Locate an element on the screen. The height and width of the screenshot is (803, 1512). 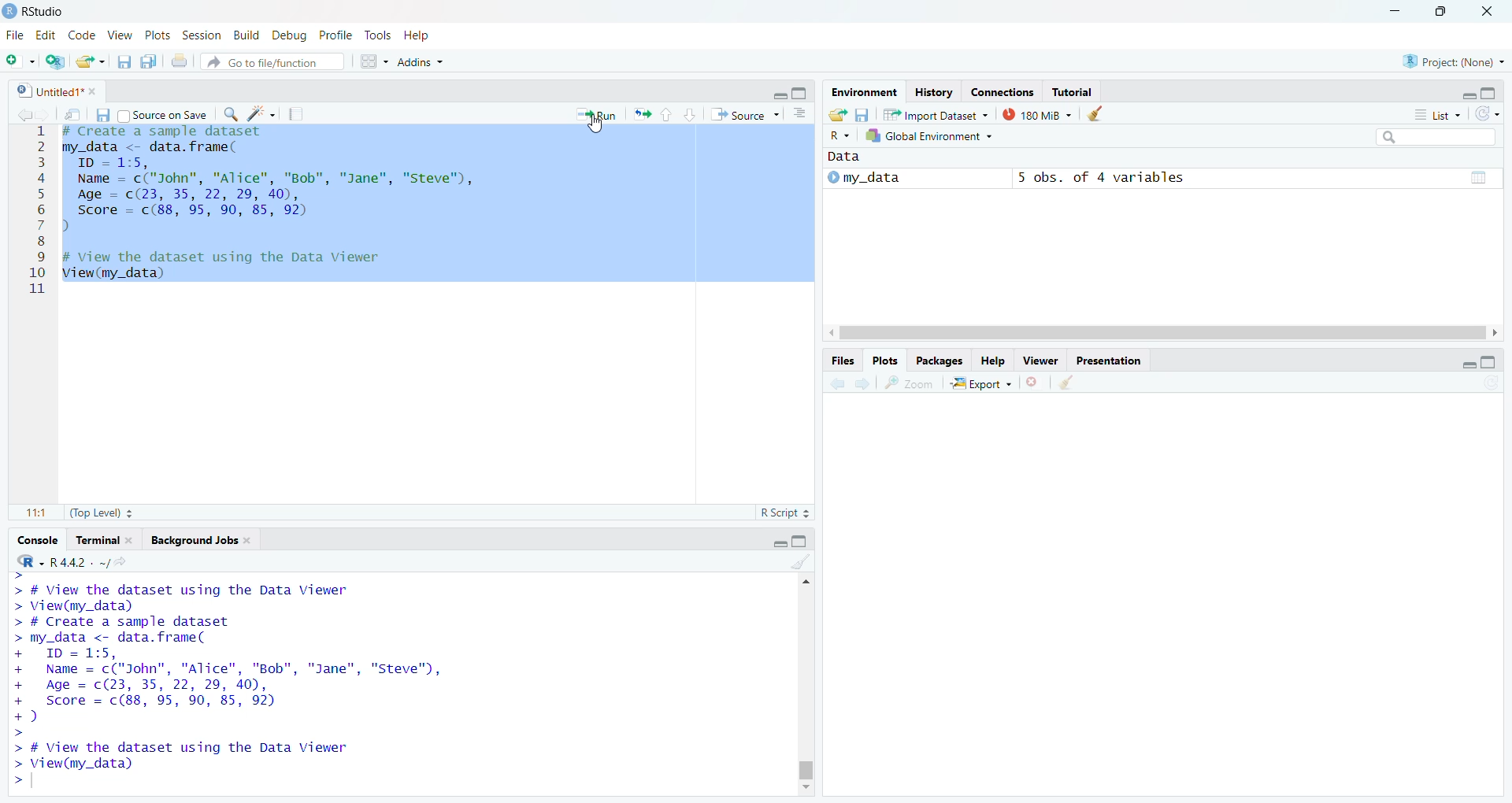
Help is located at coordinates (419, 37).